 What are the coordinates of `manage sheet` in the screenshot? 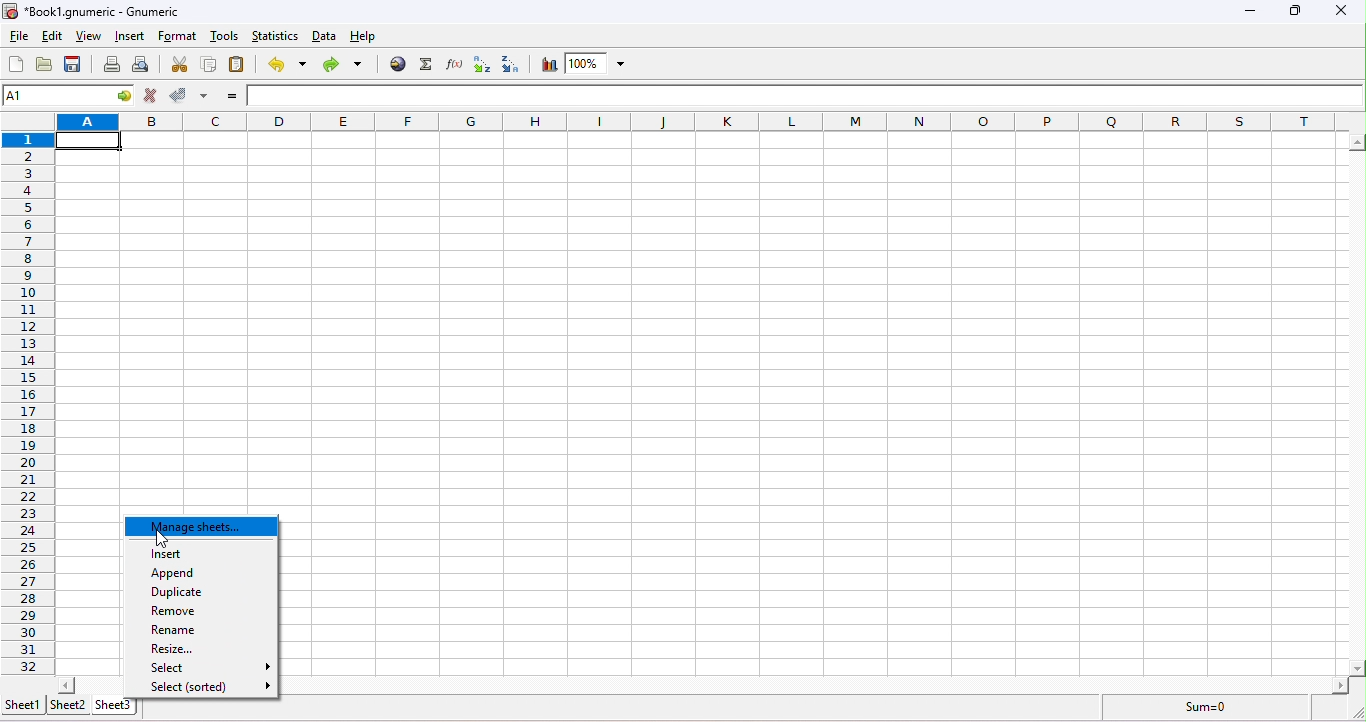 It's located at (205, 527).